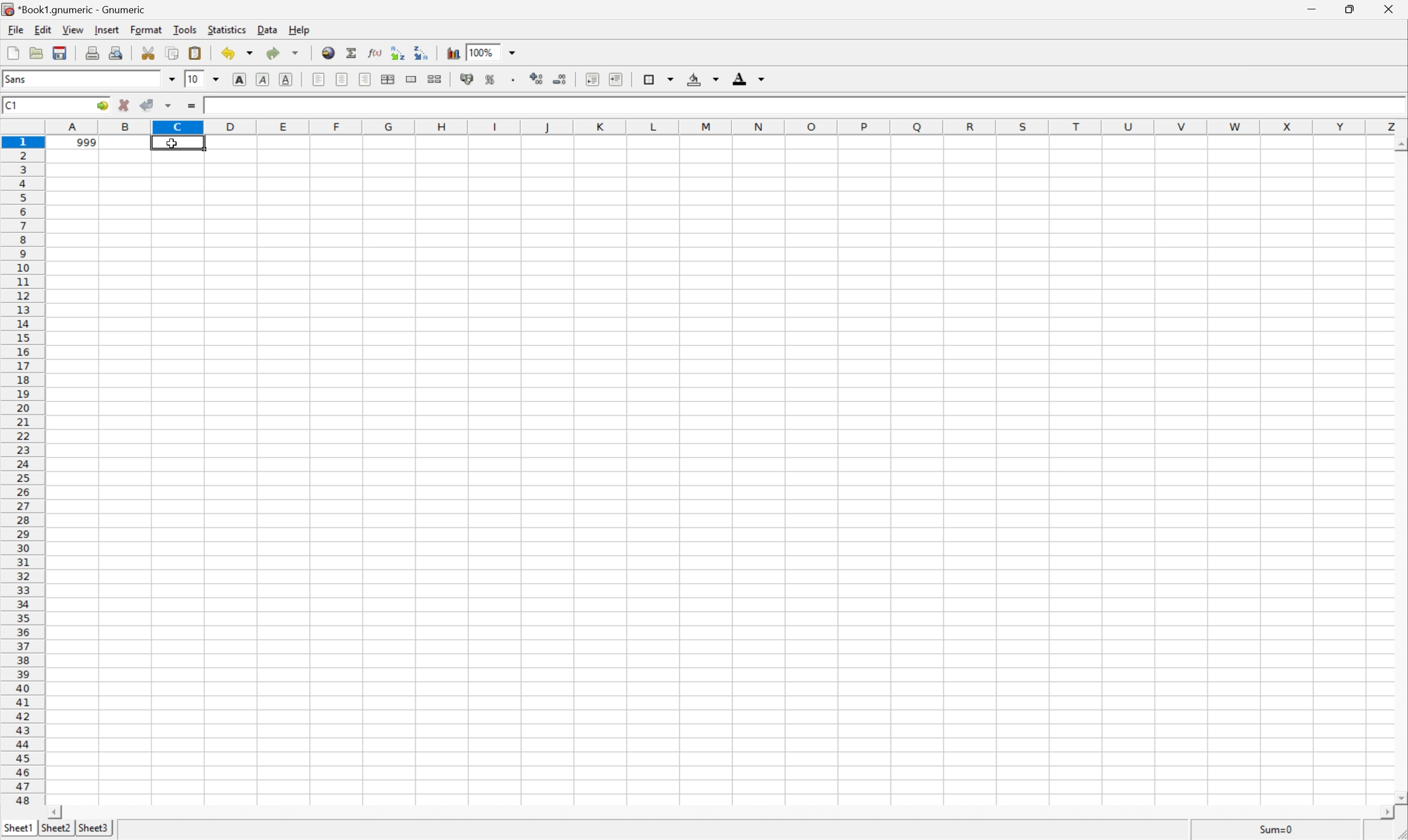 The width and height of the screenshot is (1408, 840). Describe the element at coordinates (55, 832) in the screenshot. I see `sheet2` at that location.